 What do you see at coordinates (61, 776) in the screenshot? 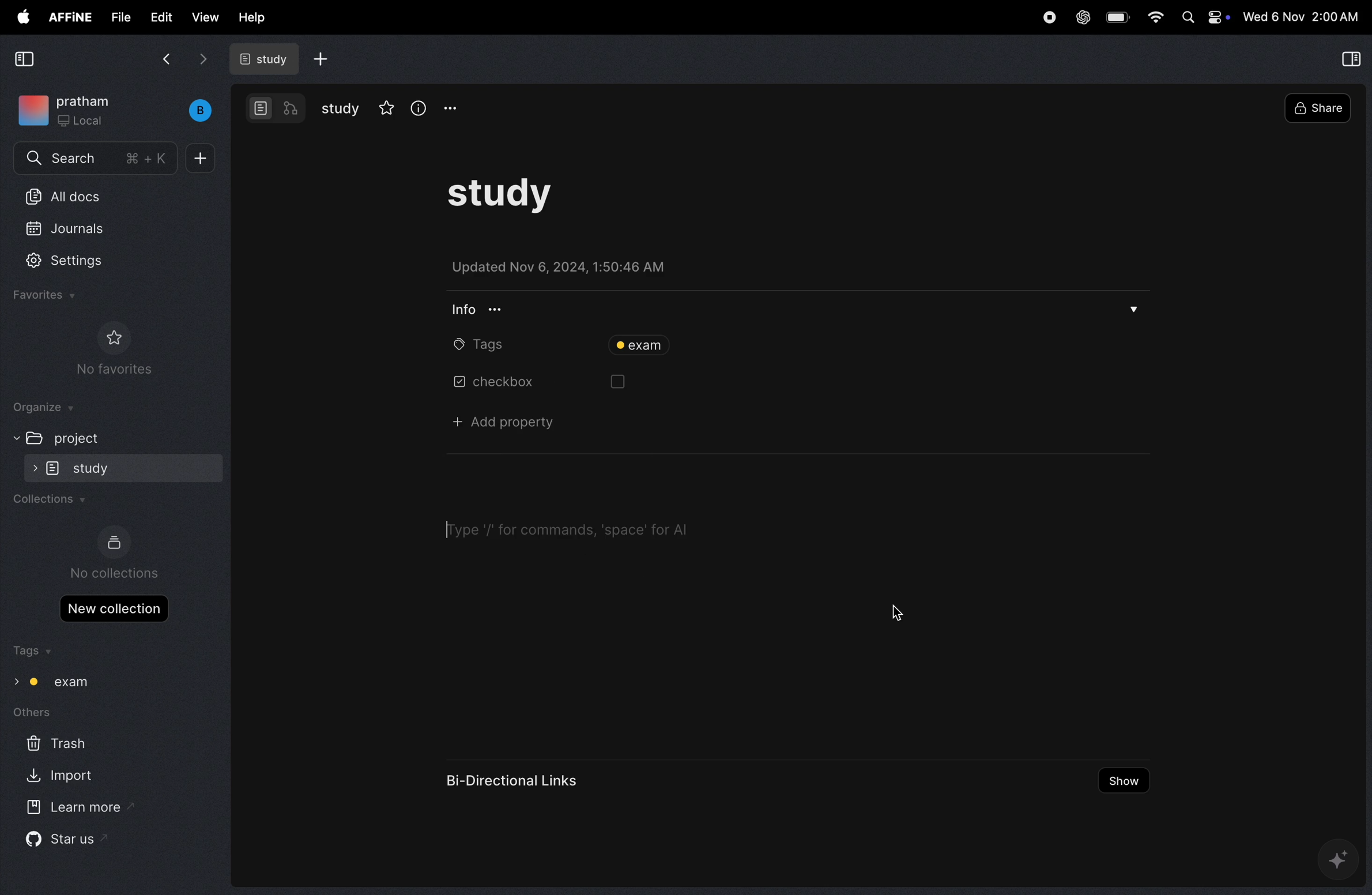
I see `import` at bounding box center [61, 776].